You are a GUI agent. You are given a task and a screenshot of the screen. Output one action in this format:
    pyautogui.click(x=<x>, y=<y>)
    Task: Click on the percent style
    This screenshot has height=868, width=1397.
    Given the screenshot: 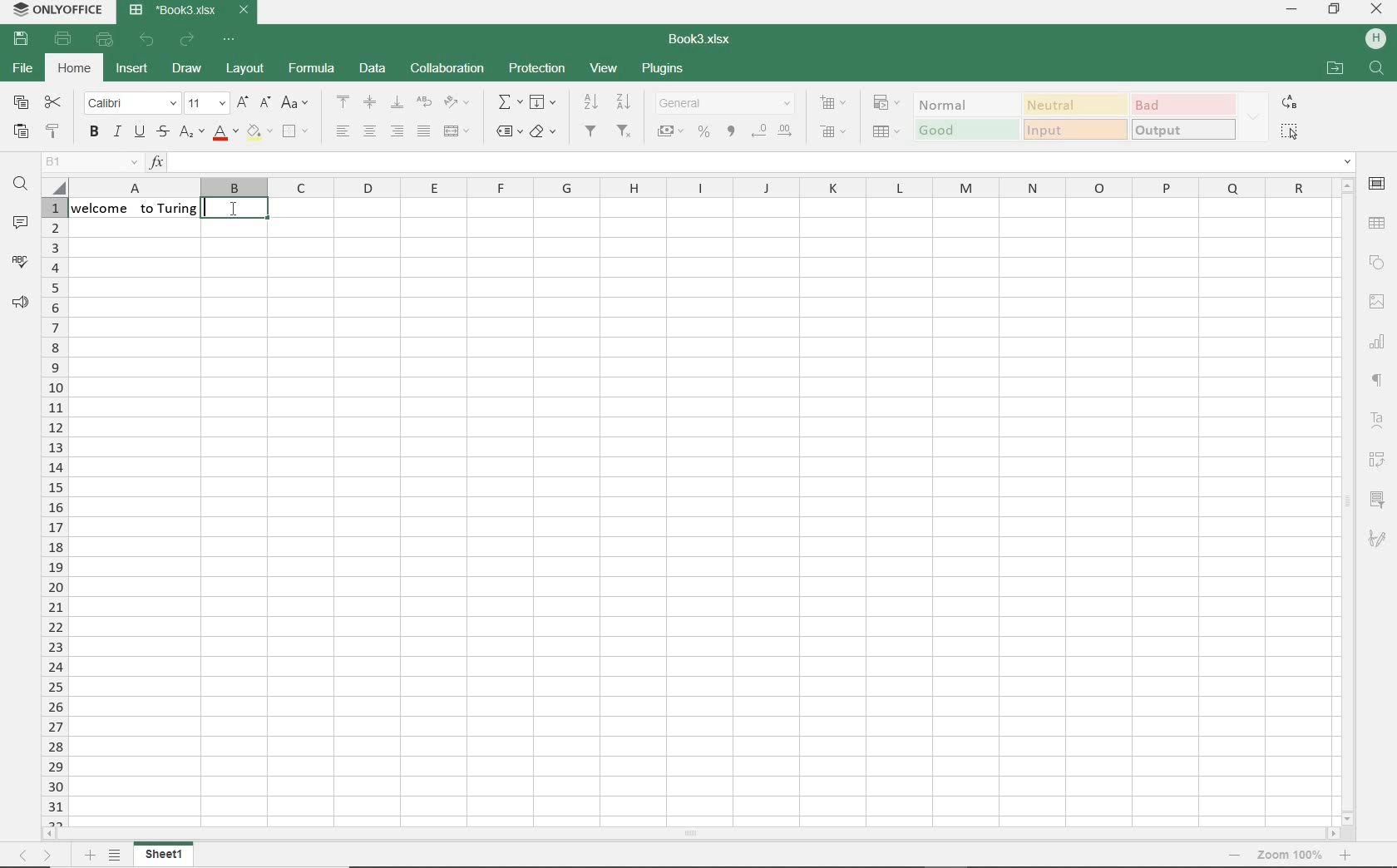 What is the action you would take?
    pyautogui.click(x=704, y=132)
    